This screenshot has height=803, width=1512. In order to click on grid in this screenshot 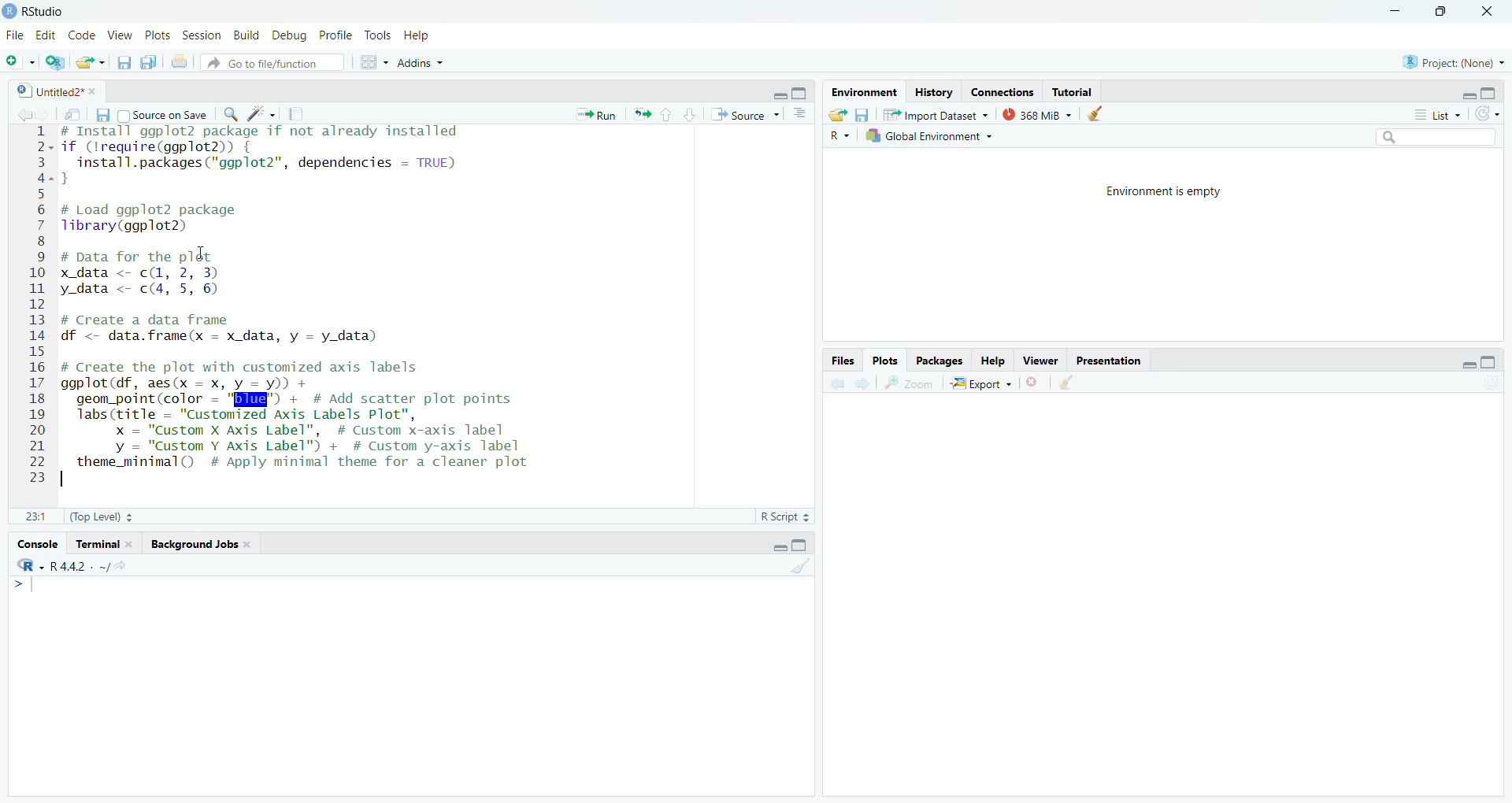, I will do `click(373, 65)`.